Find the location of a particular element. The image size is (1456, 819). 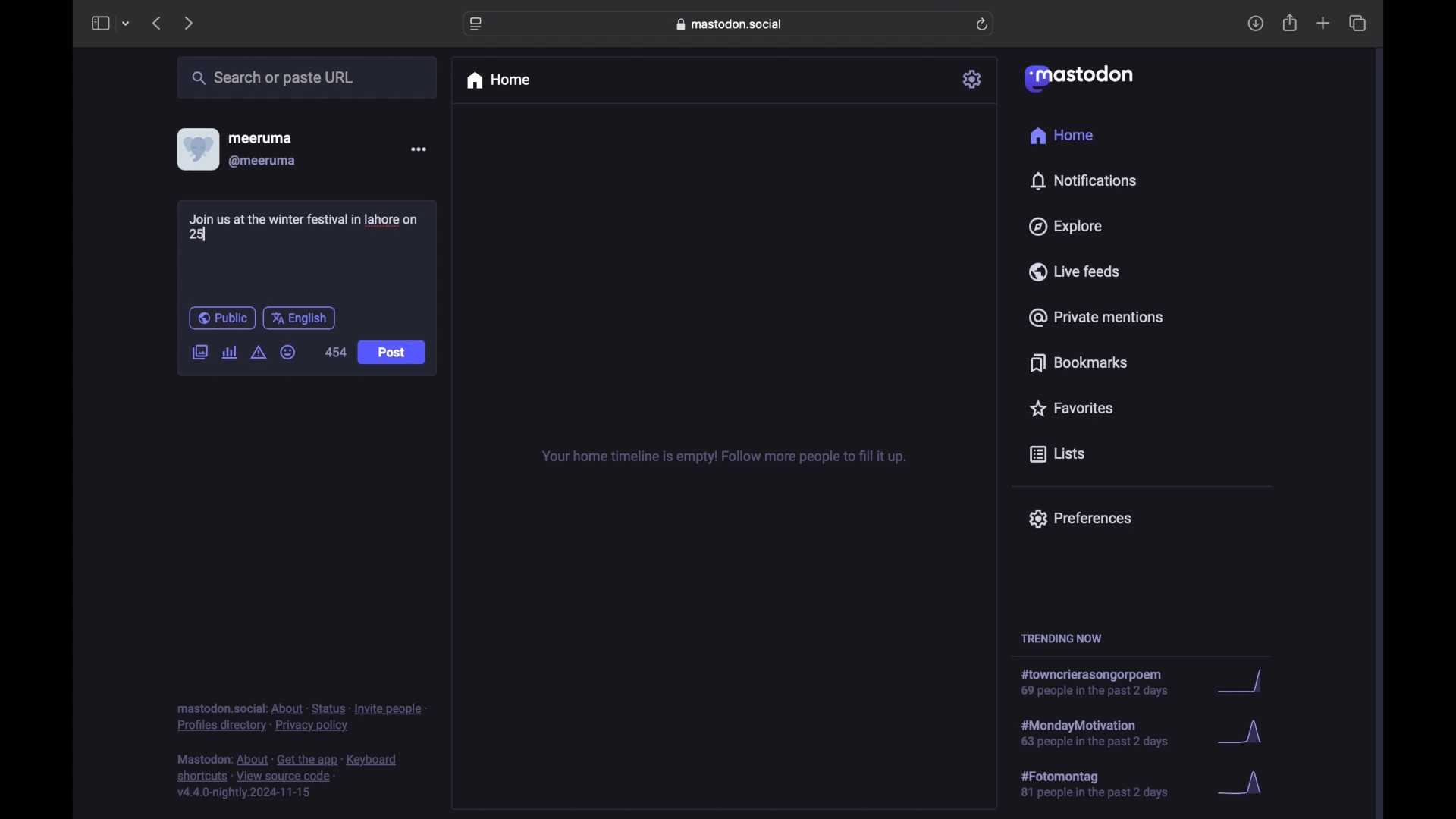

website settings is located at coordinates (478, 24).